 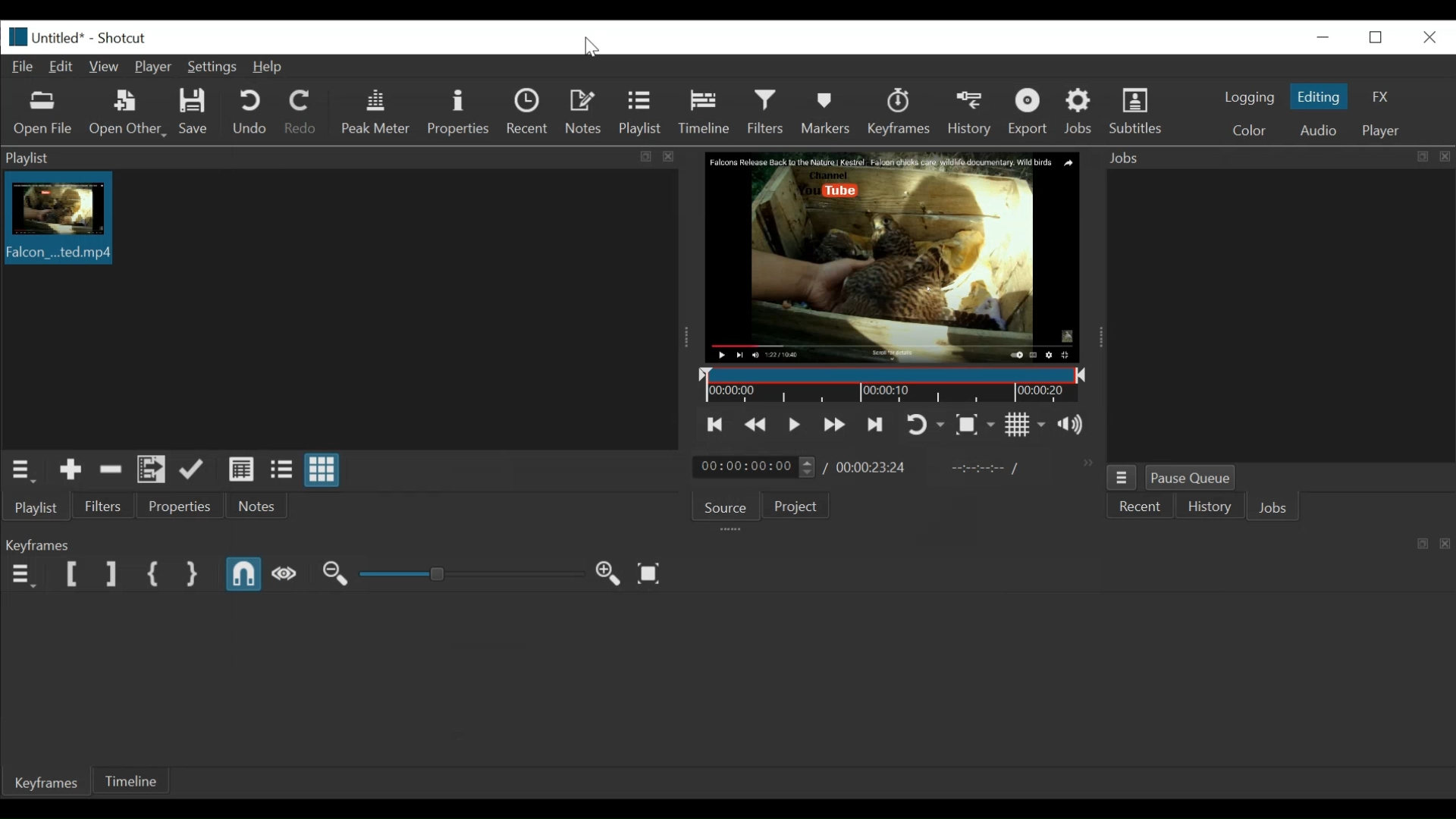 I want to click on Current duration, so click(x=755, y=468).